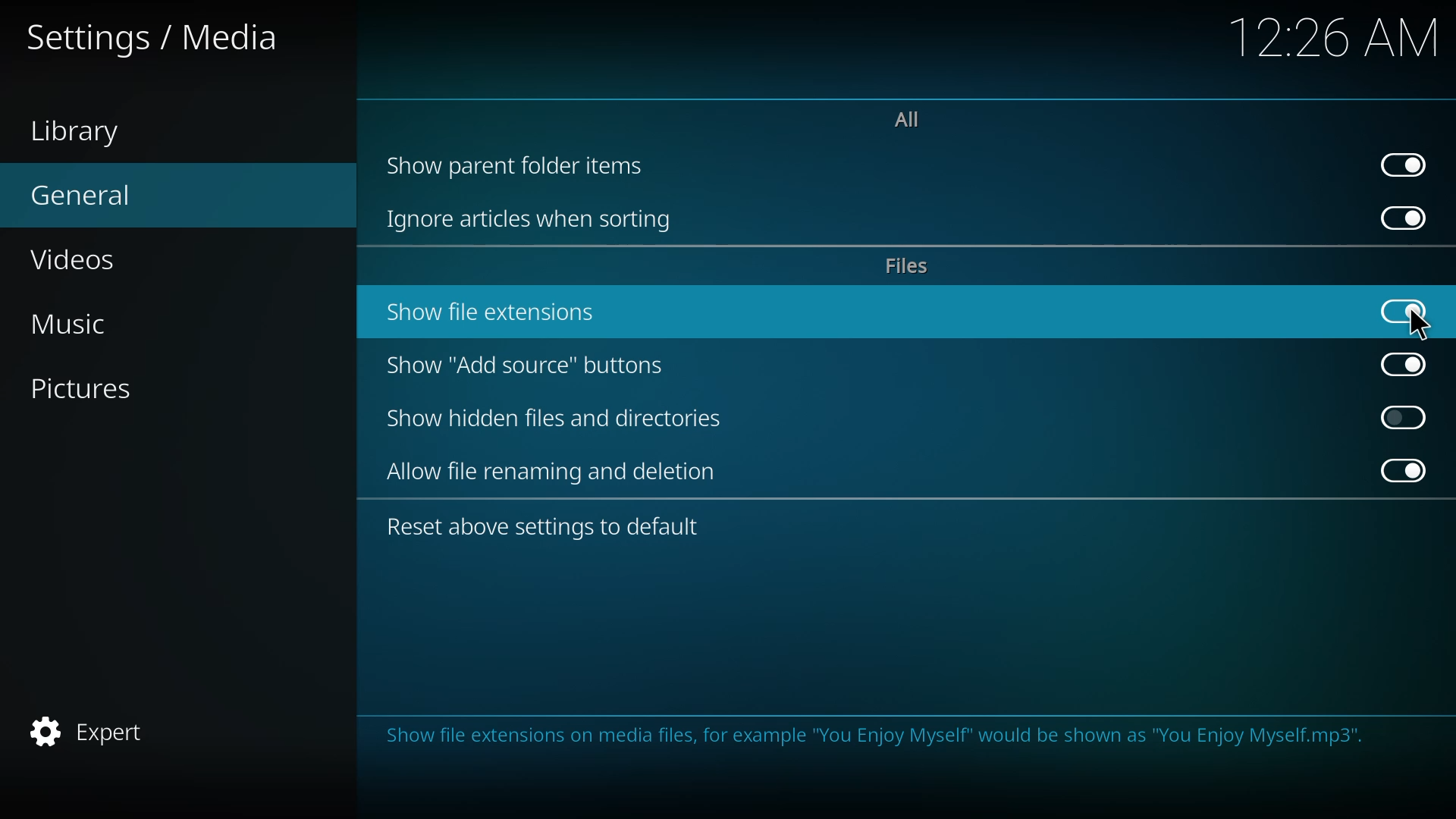  I want to click on reset above settings to default, so click(546, 529).